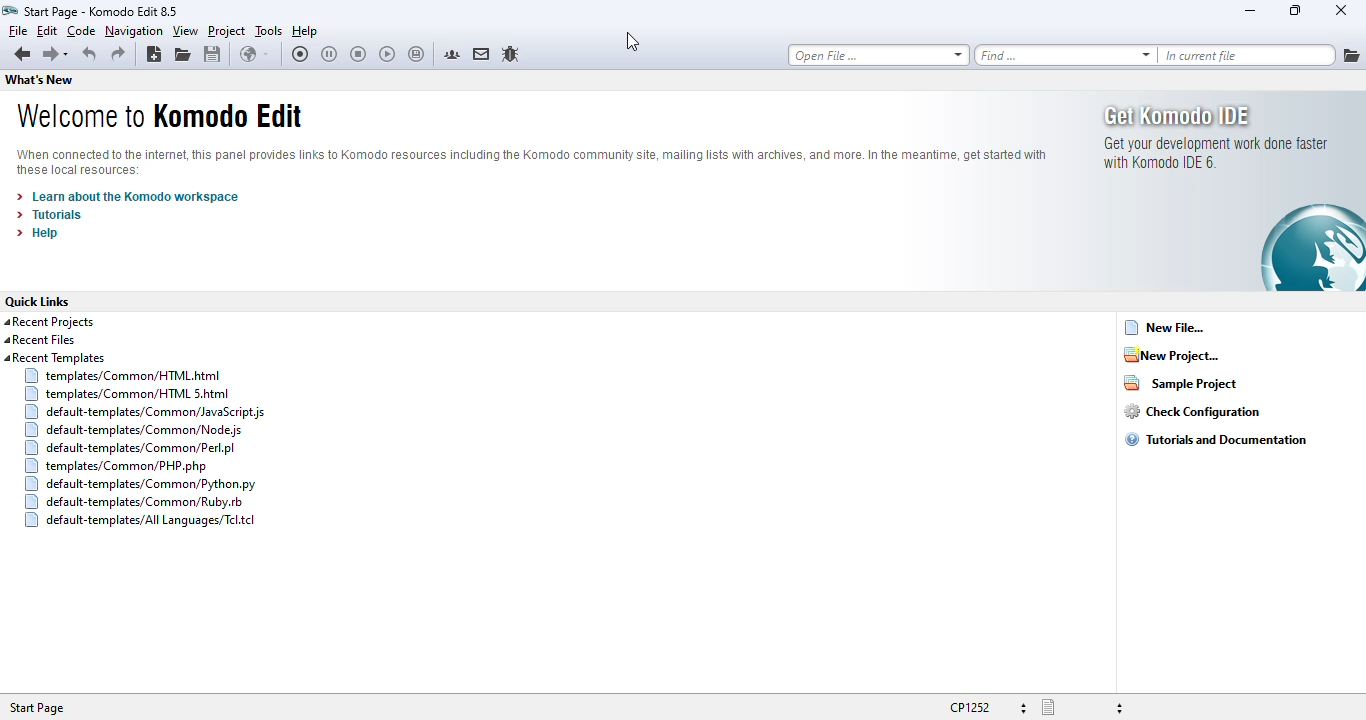 The height and width of the screenshot is (720, 1366). Describe the element at coordinates (38, 233) in the screenshot. I see `help` at that location.